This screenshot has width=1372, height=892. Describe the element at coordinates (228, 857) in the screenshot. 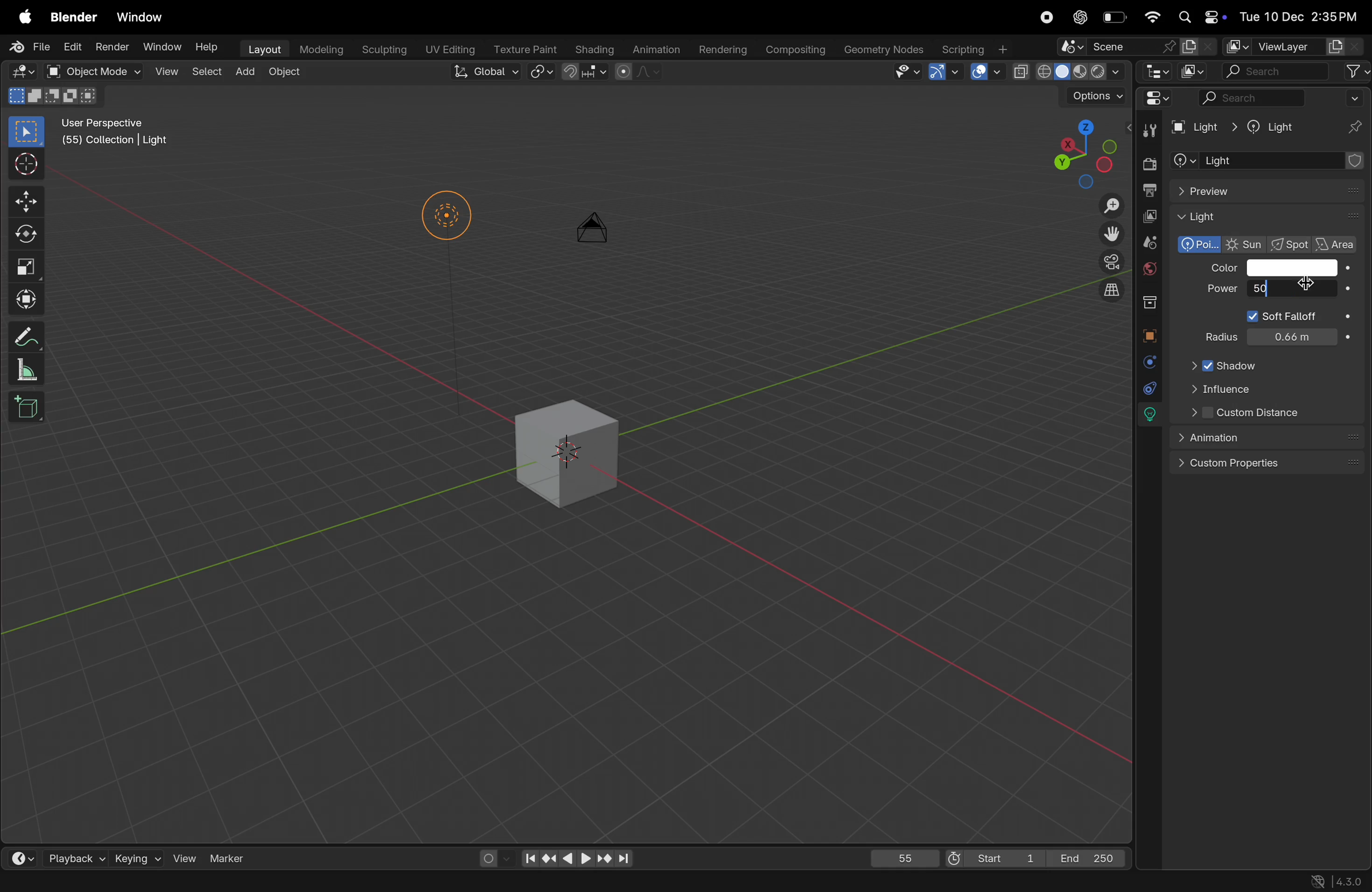

I see `marker` at that location.